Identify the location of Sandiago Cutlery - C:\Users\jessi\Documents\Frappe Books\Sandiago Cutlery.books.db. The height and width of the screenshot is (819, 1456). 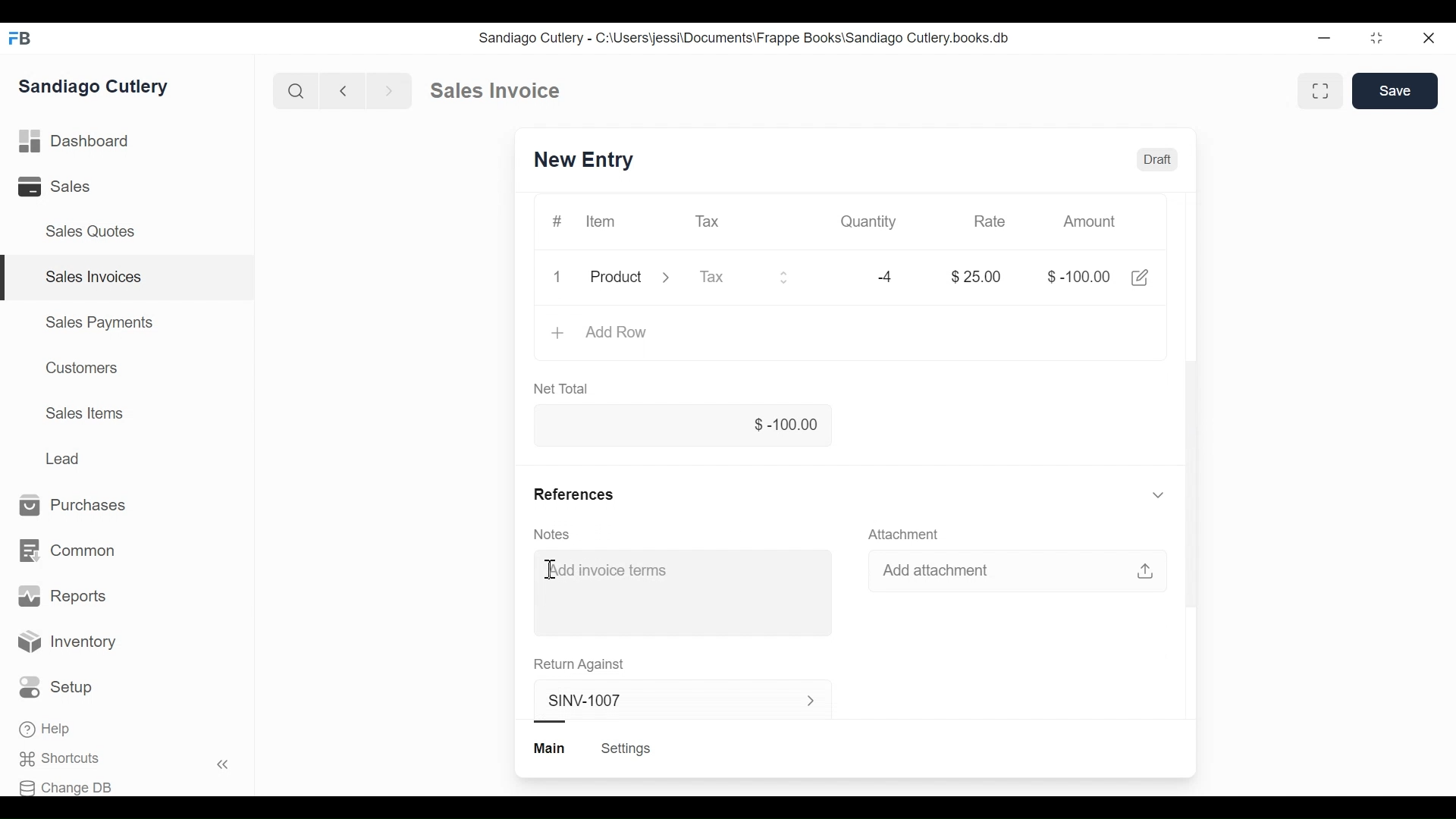
(745, 39).